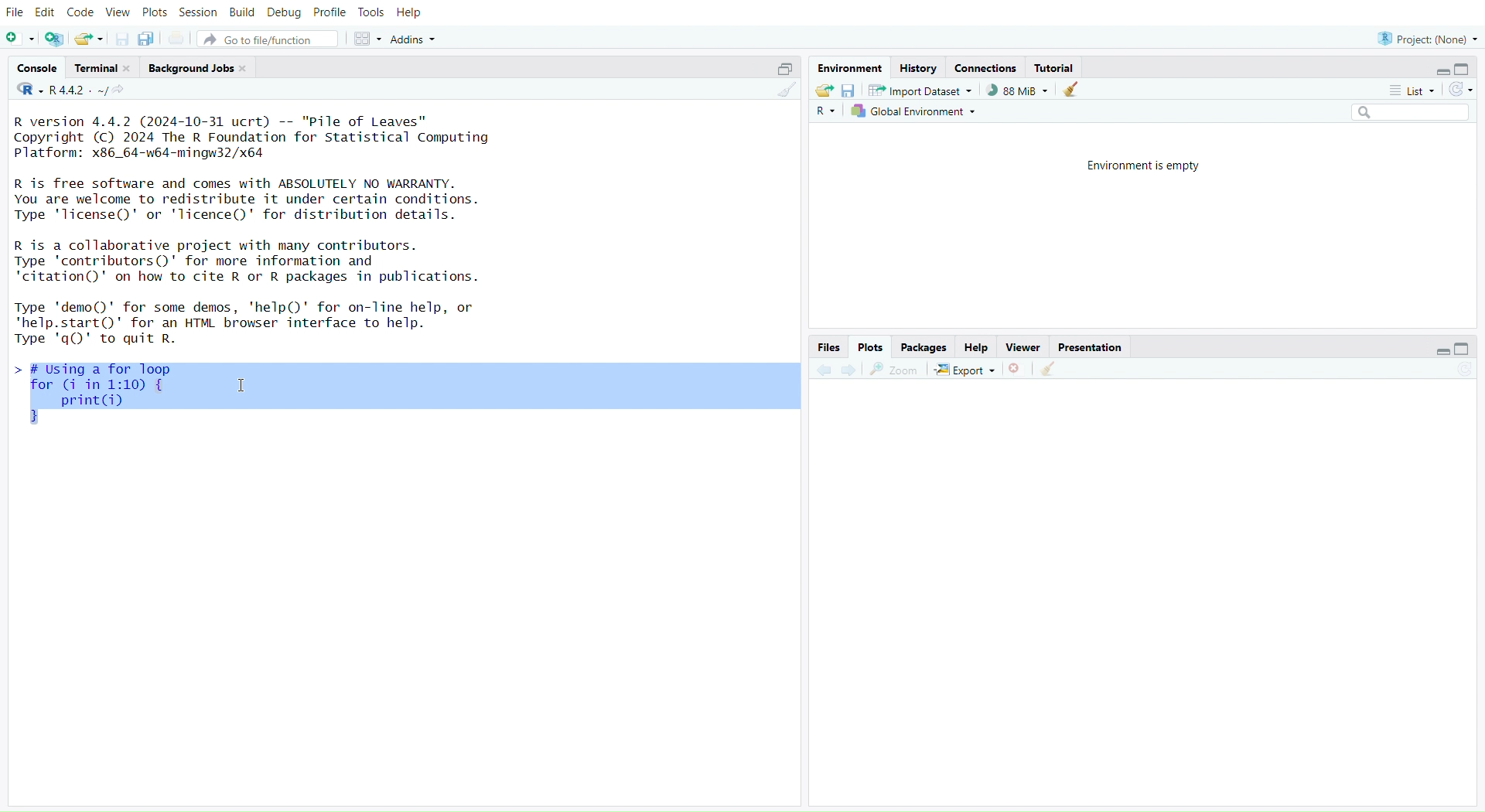 The width and height of the screenshot is (1485, 812). What do you see at coordinates (103, 68) in the screenshot?
I see `terminal` at bounding box center [103, 68].